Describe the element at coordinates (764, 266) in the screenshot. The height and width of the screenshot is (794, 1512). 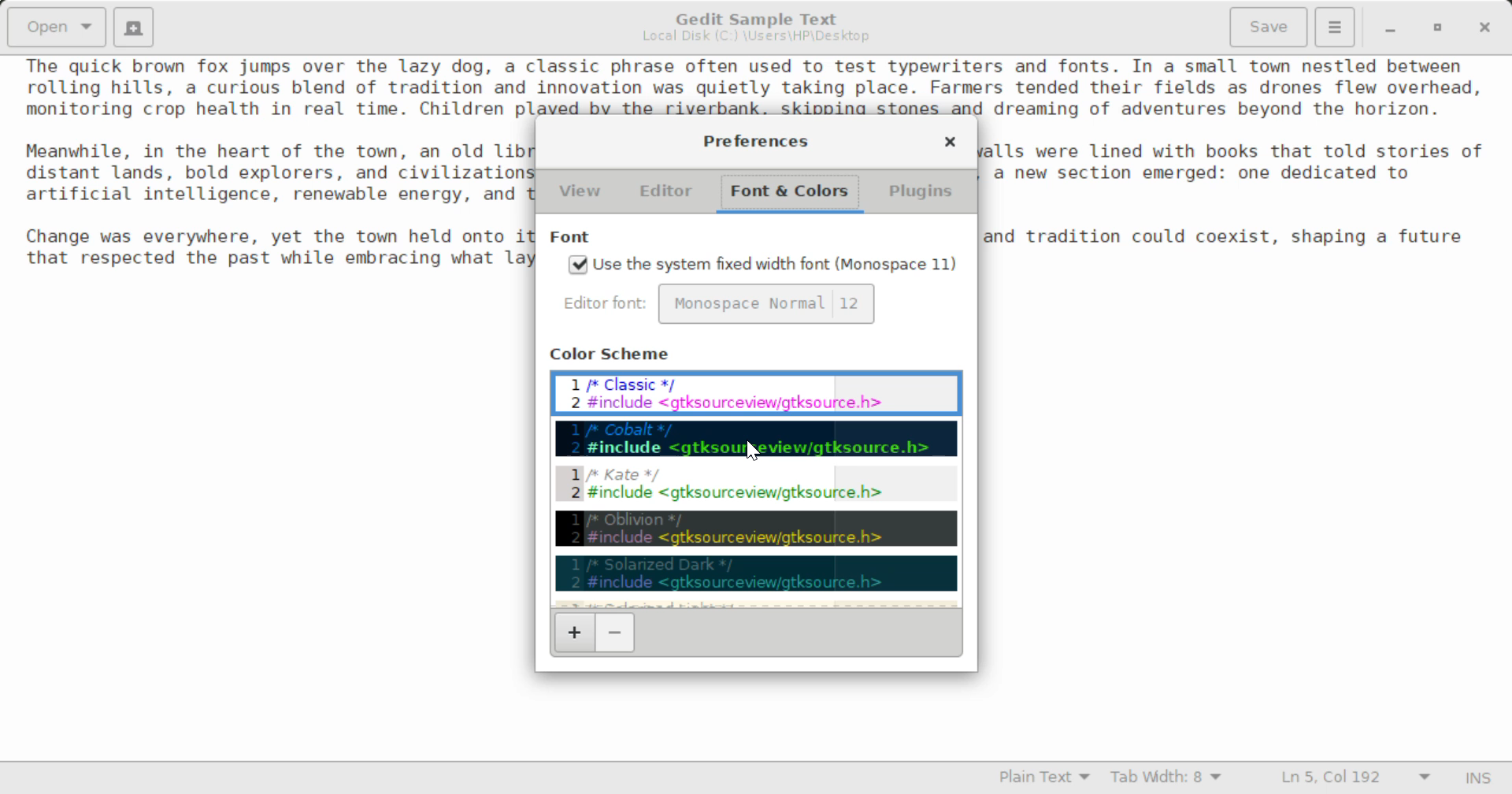
I see `Use the system fixed width font (Monospace 11)` at that location.